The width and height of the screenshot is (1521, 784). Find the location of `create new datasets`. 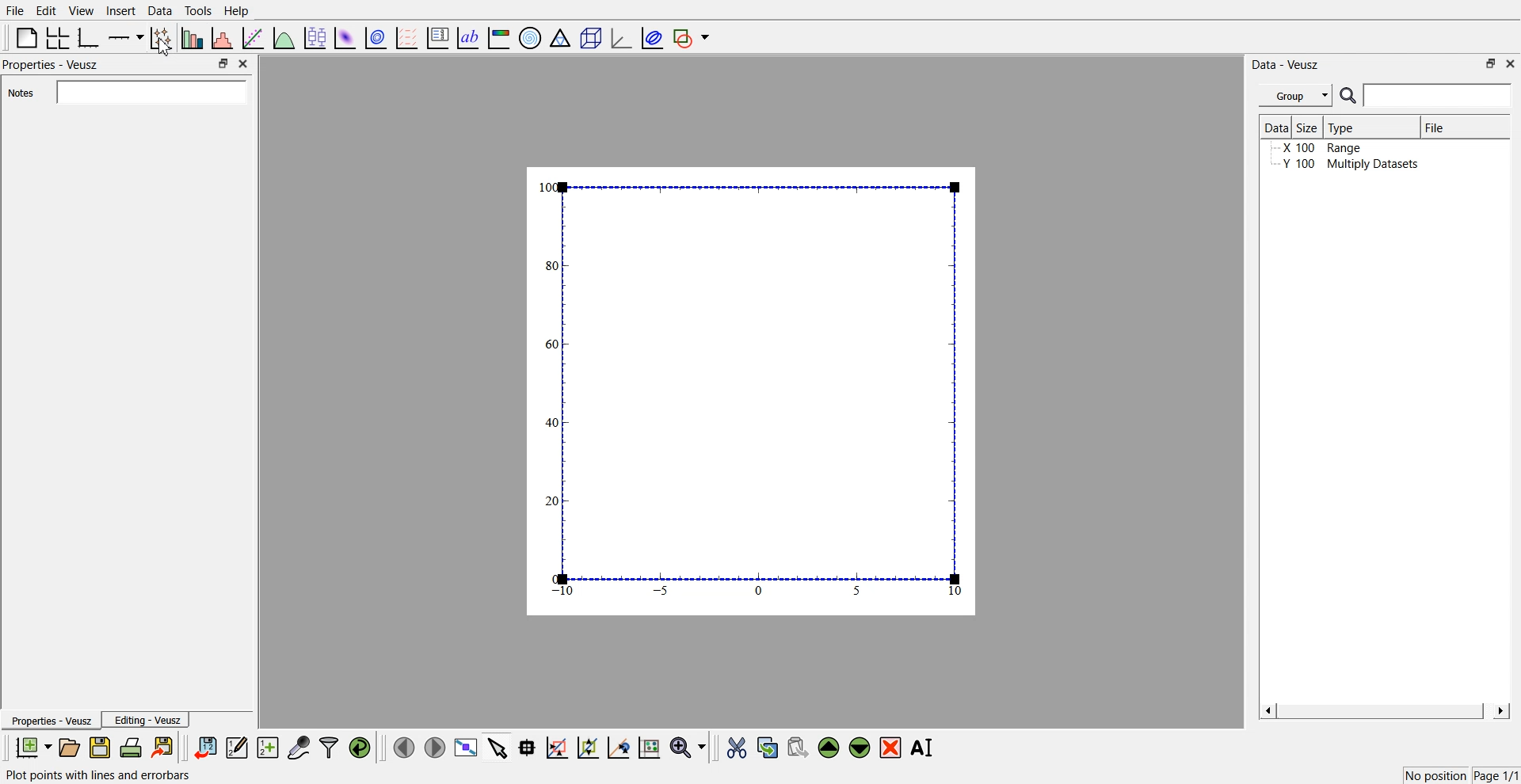

create new datasets is located at coordinates (268, 748).